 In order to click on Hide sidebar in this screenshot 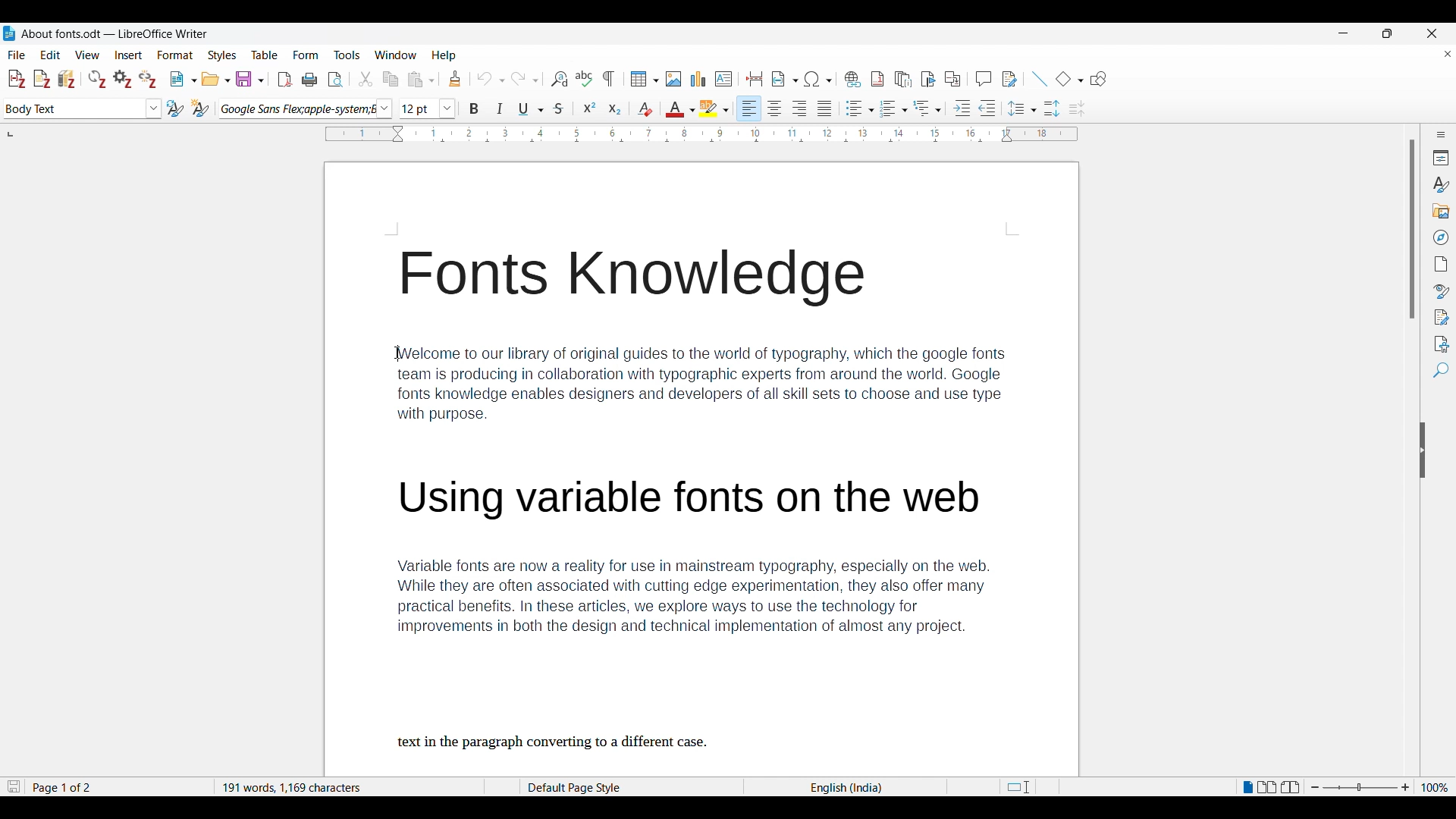, I will do `click(1423, 450)`.